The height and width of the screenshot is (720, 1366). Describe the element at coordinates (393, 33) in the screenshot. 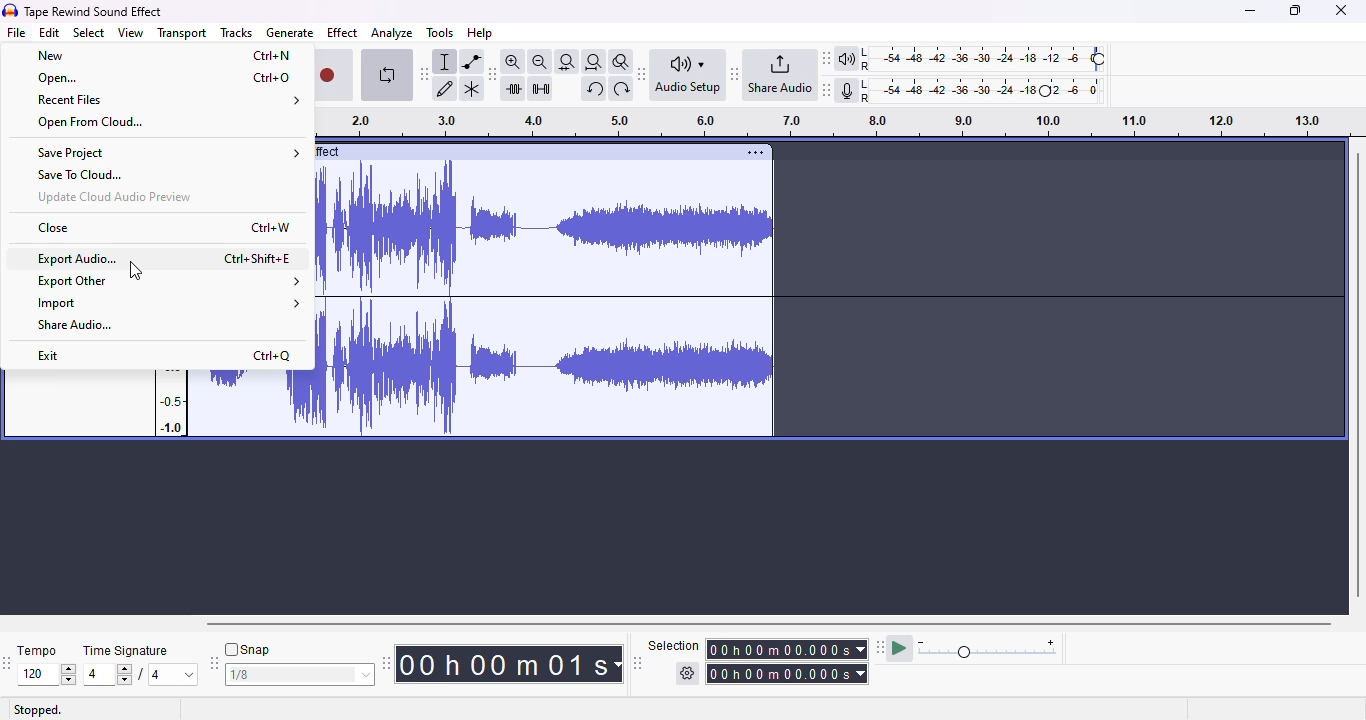

I see `analyze` at that location.